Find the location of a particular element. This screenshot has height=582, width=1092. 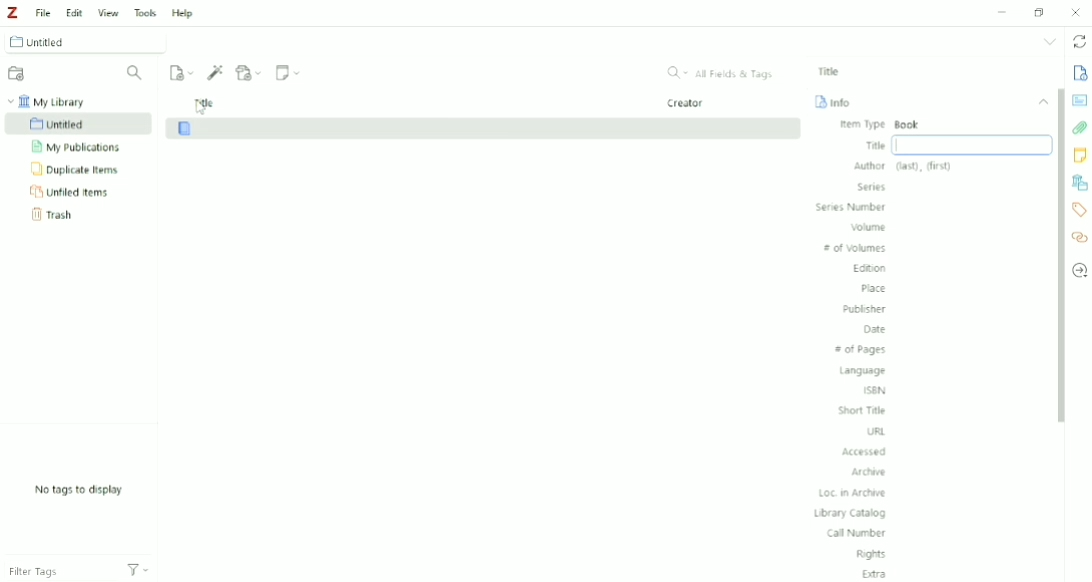

Restore down is located at coordinates (1041, 11).